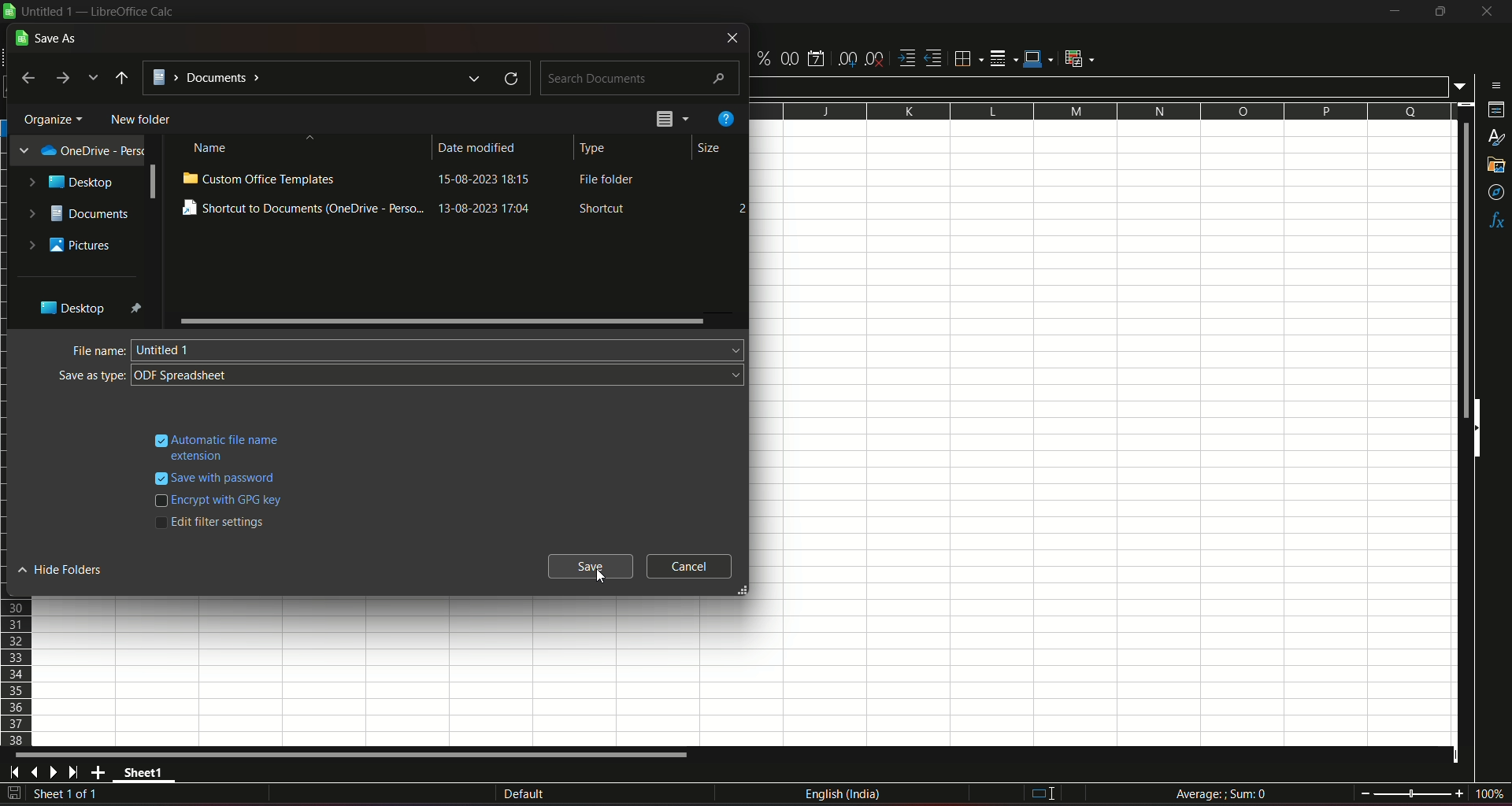 Image resolution: width=1512 pixels, height=806 pixels. I want to click on help, so click(724, 120).